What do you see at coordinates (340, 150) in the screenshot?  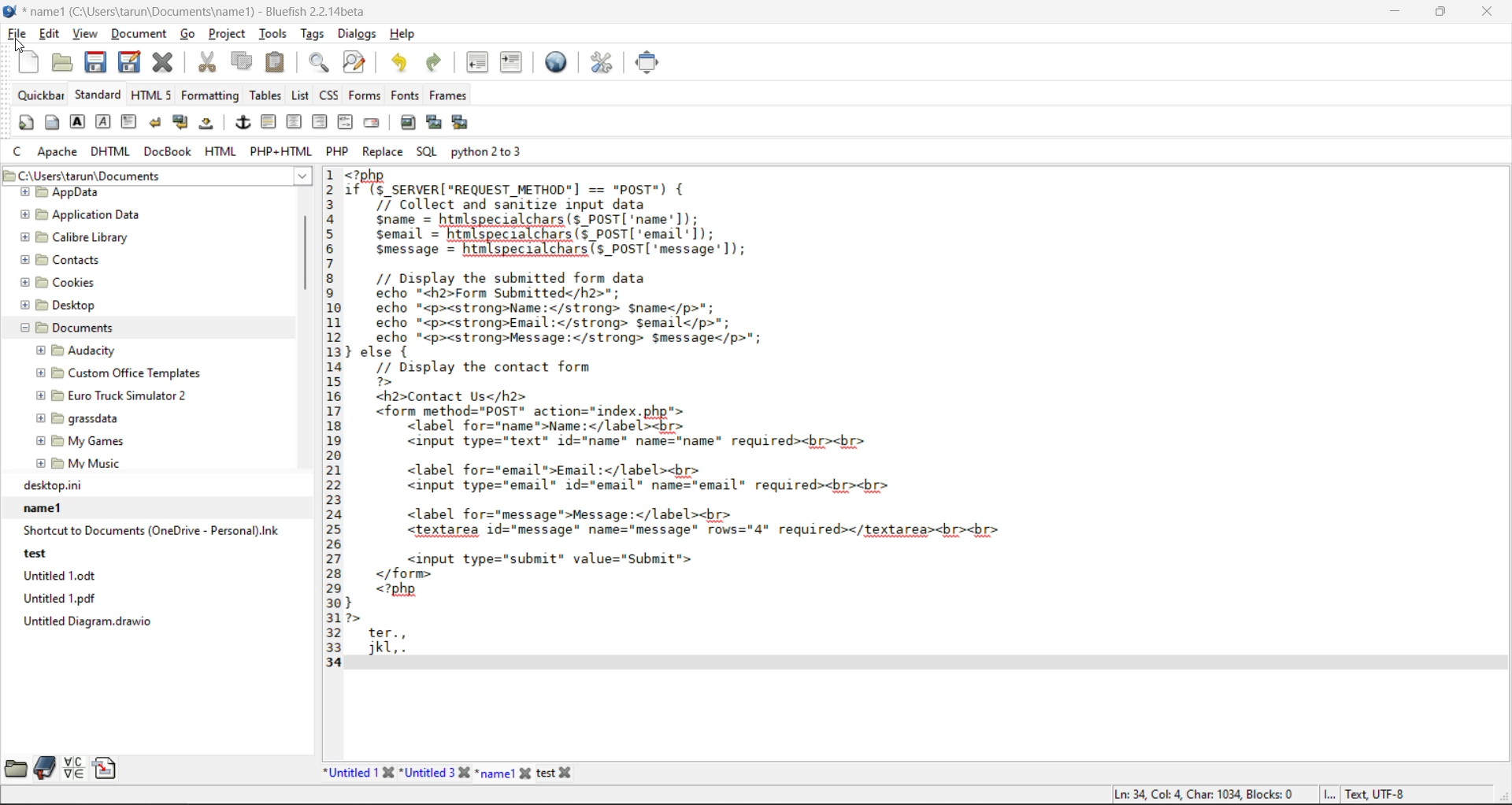 I see `php` at bounding box center [340, 150].